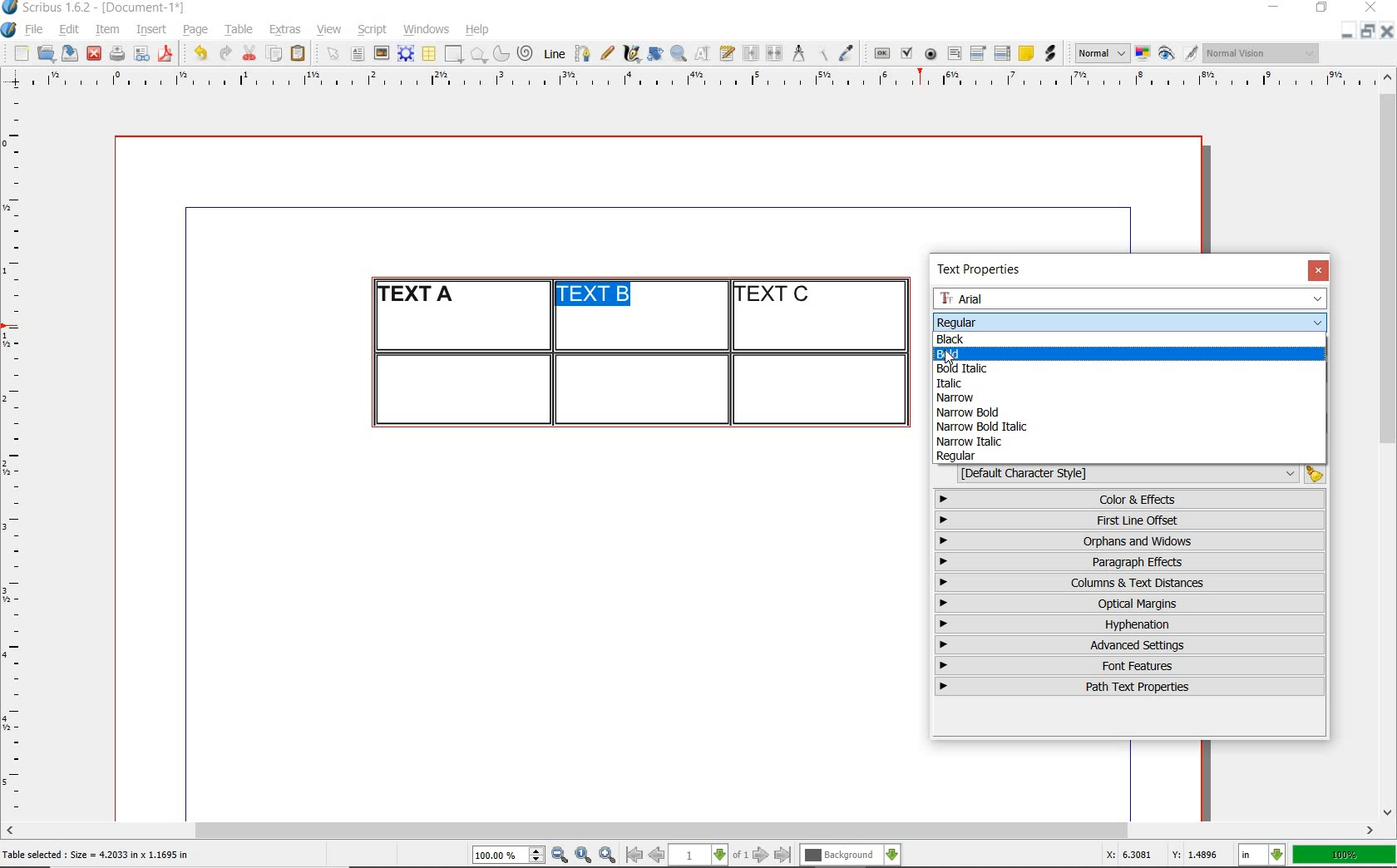 The width and height of the screenshot is (1397, 868). Describe the element at coordinates (947, 383) in the screenshot. I see `italic` at that location.